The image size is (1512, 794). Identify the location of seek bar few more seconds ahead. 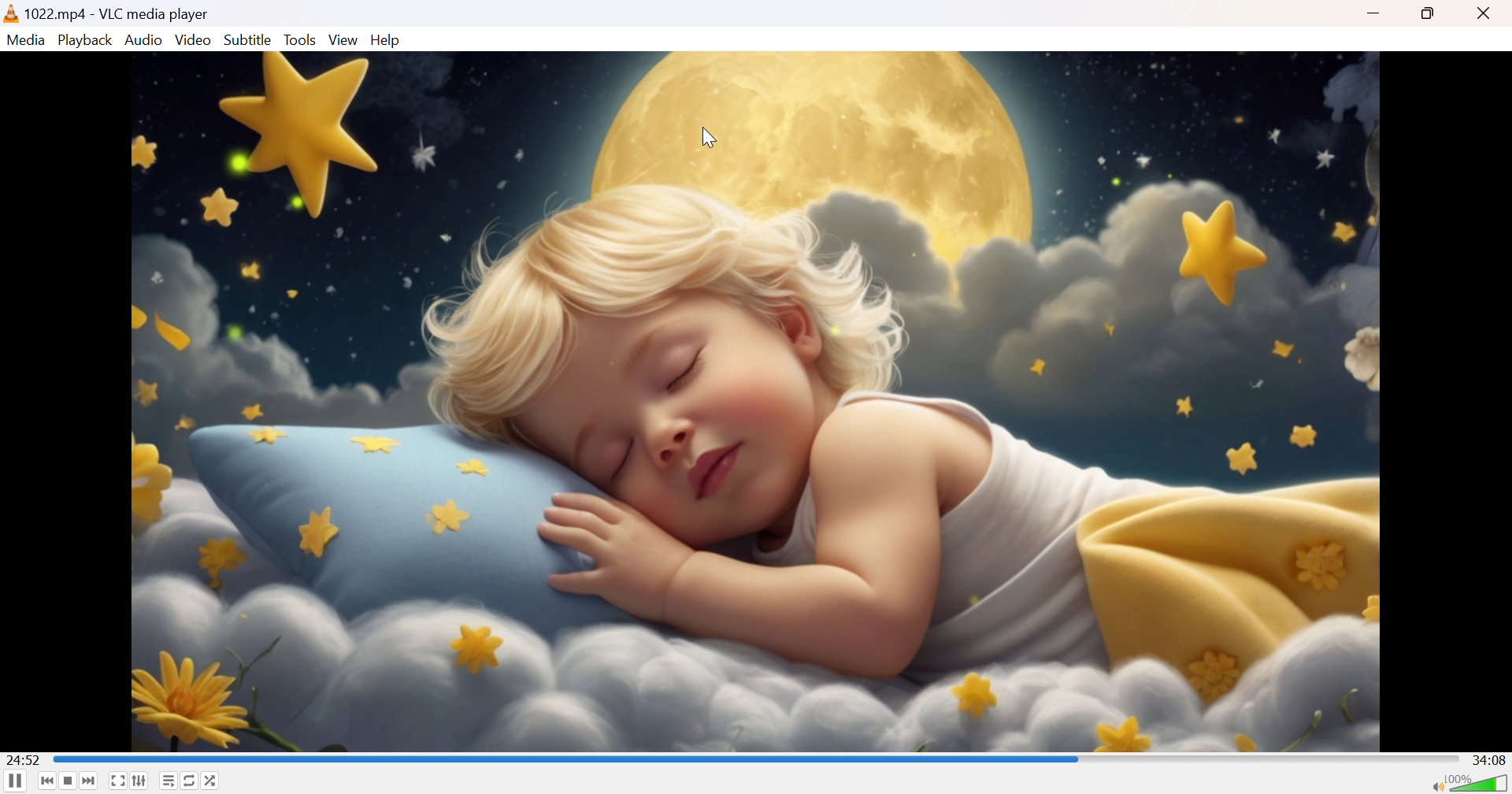
(567, 759).